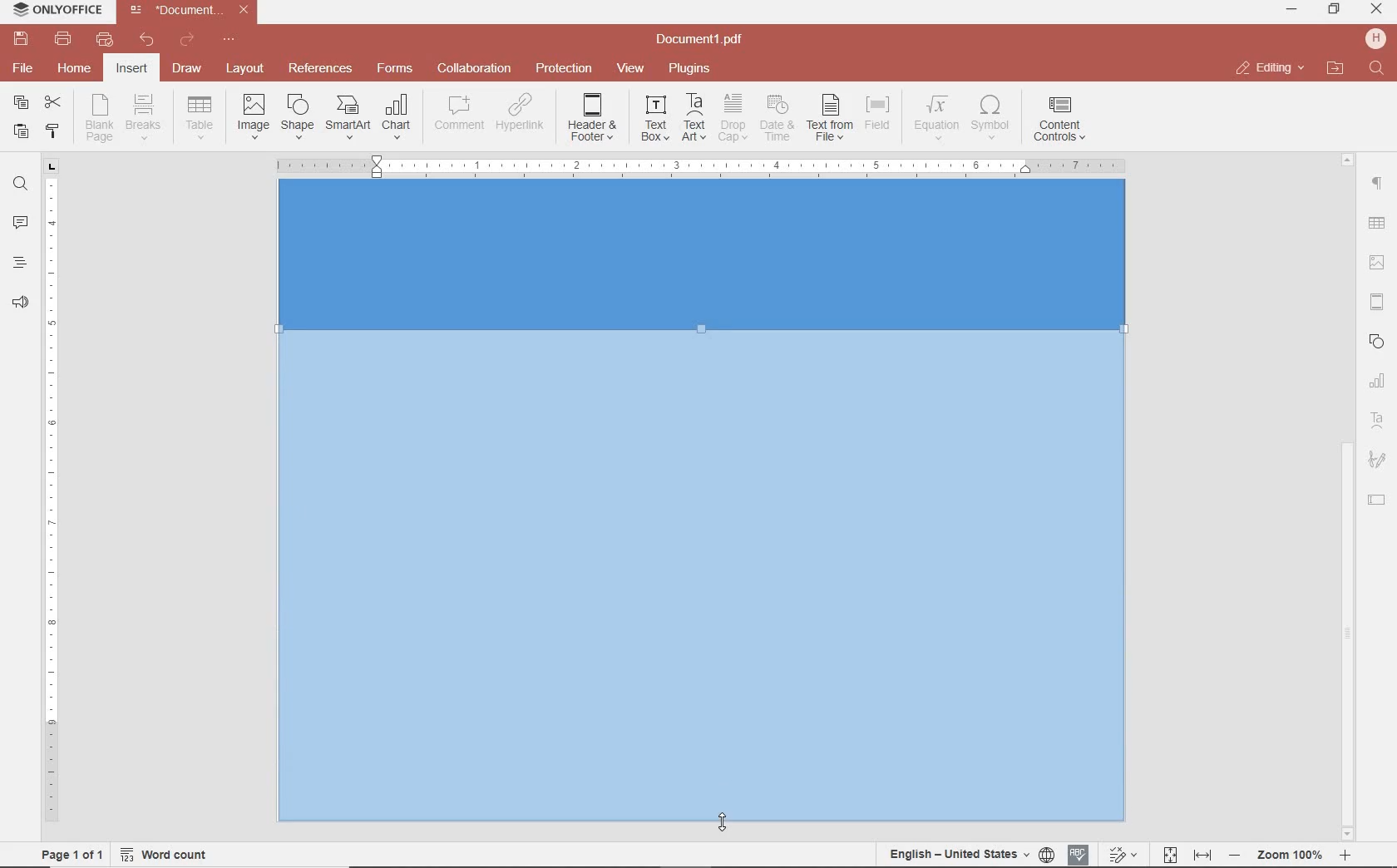 This screenshot has height=868, width=1397. Describe the element at coordinates (1121, 856) in the screenshot. I see `track change` at that location.